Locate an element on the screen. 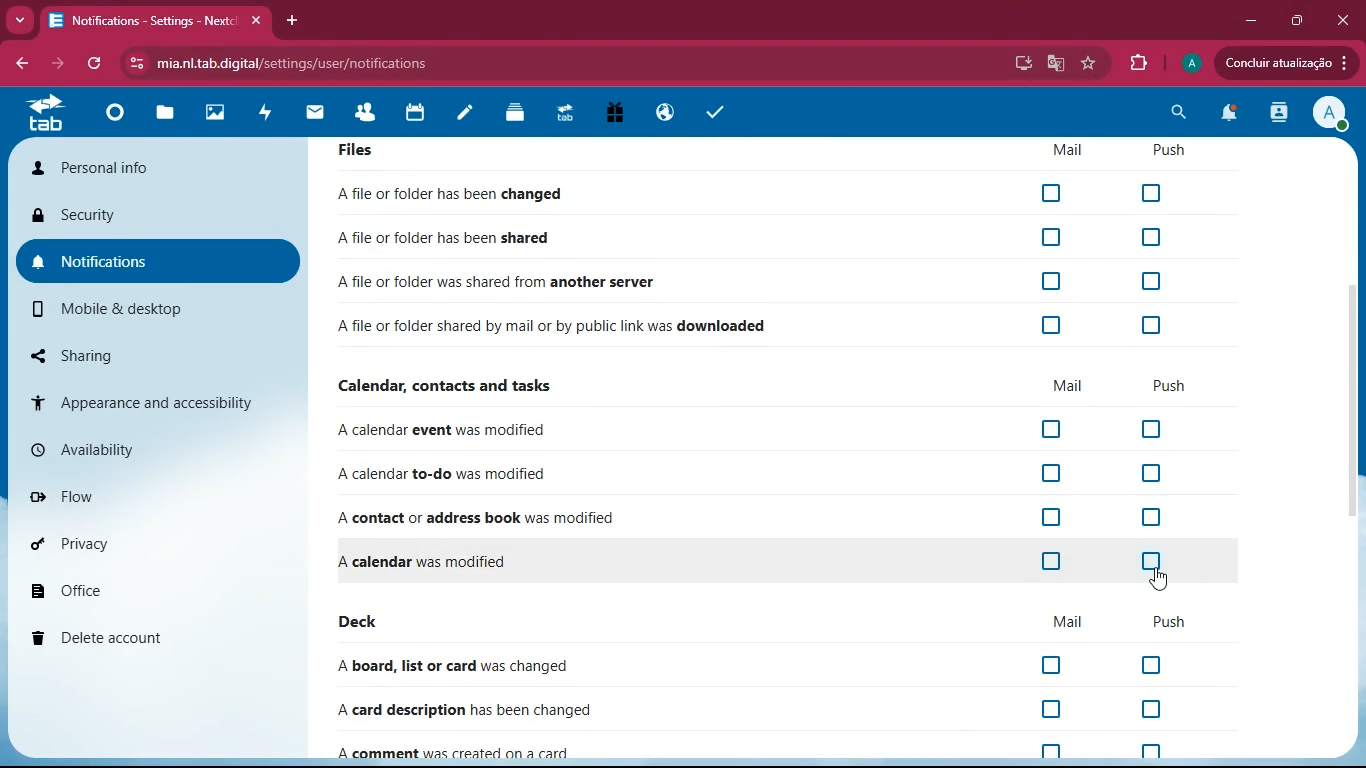  maximize is located at coordinates (1296, 20).